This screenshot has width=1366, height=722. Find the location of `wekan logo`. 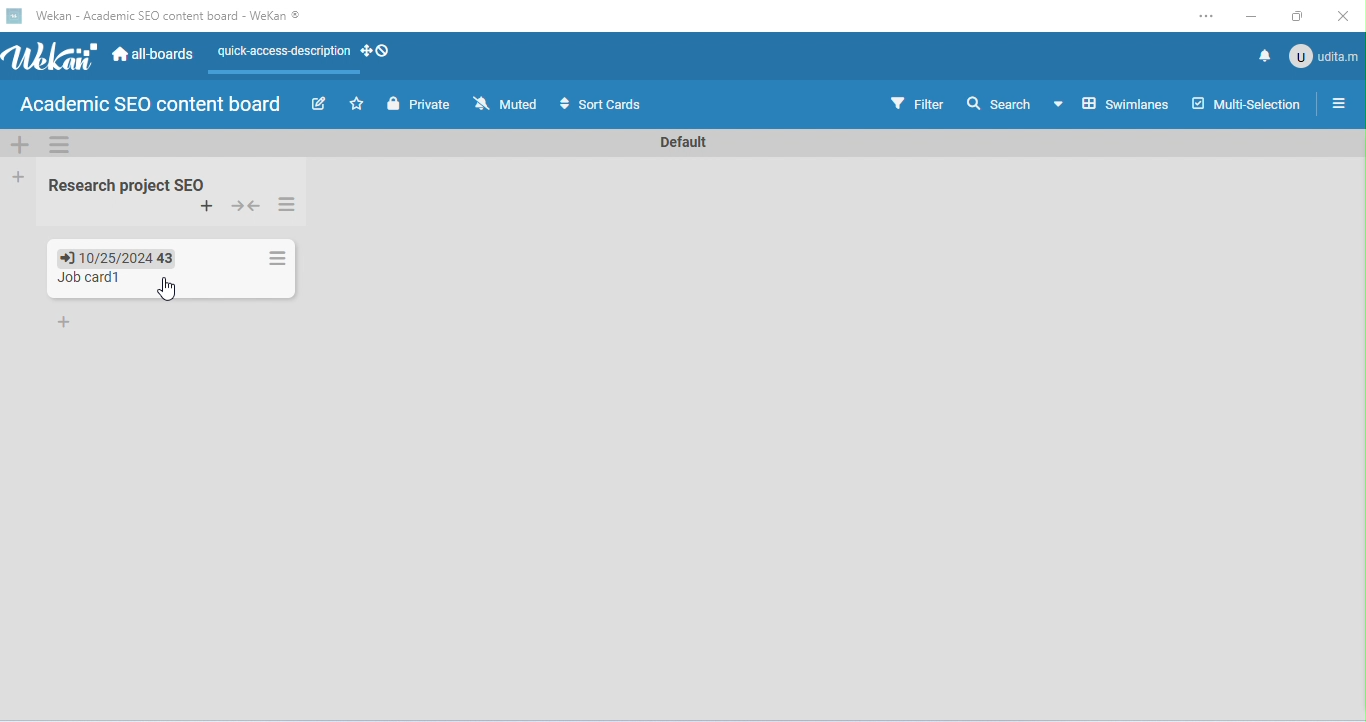

wekan logo is located at coordinates (52, 60).